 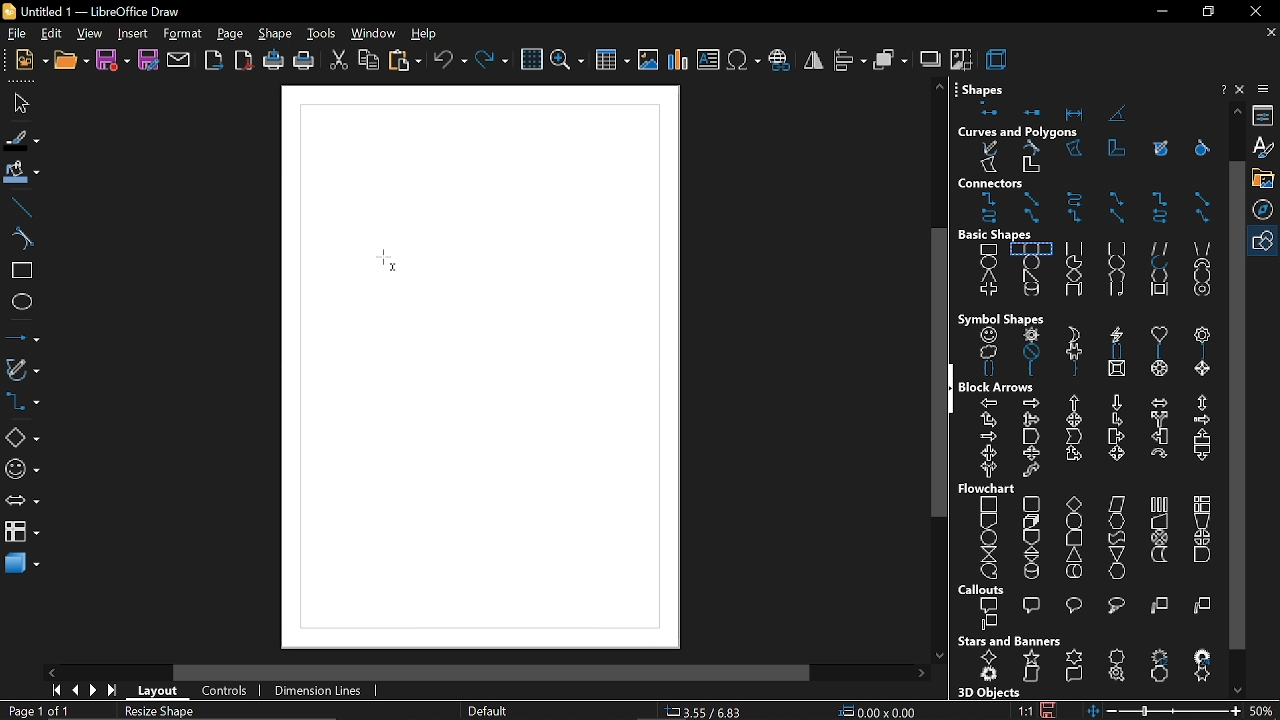 I want to click on stars and banners, so click(x=1092, y=668).